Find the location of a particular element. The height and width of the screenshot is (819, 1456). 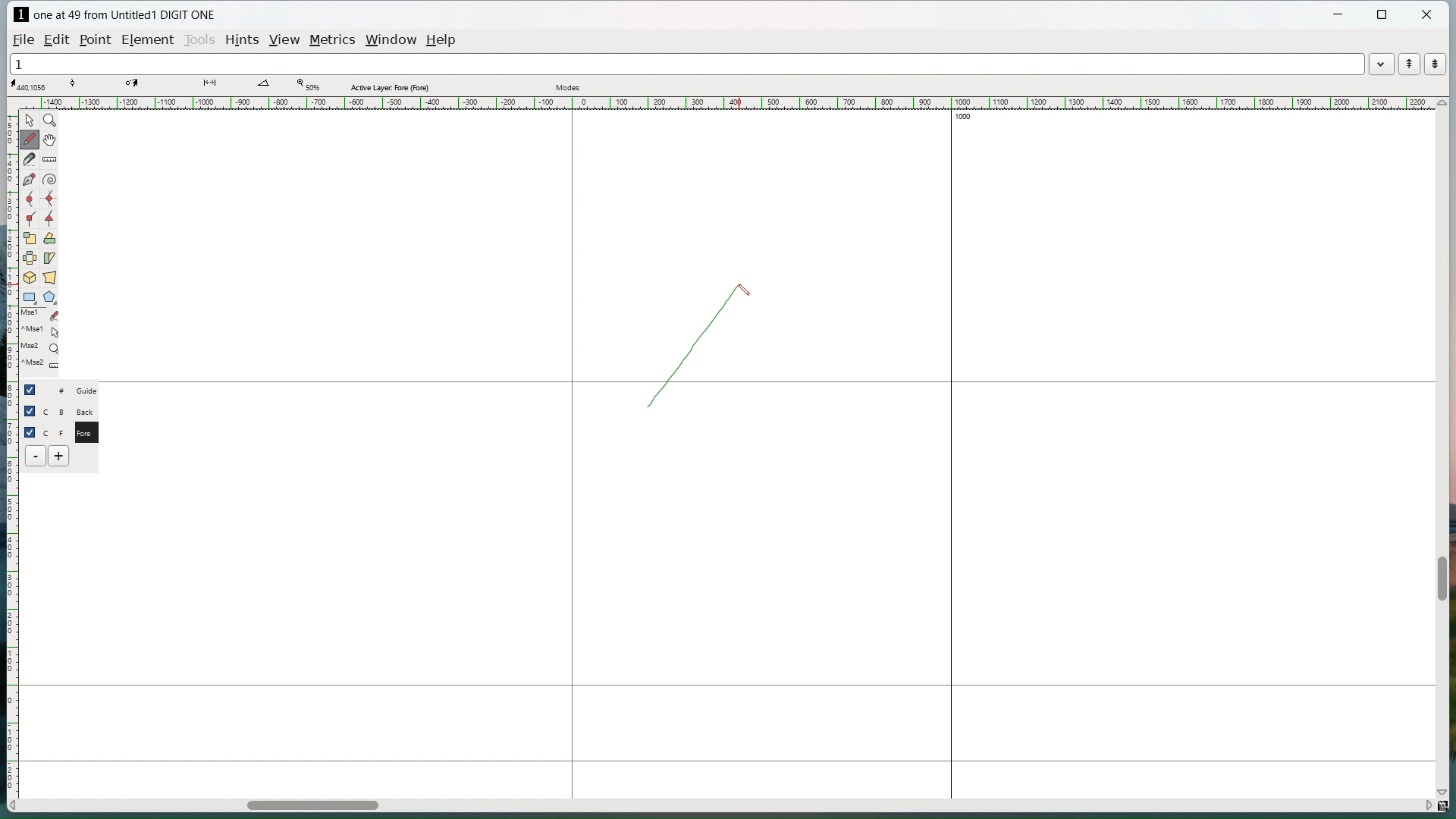

rotate is located at coordinates (49, 238).